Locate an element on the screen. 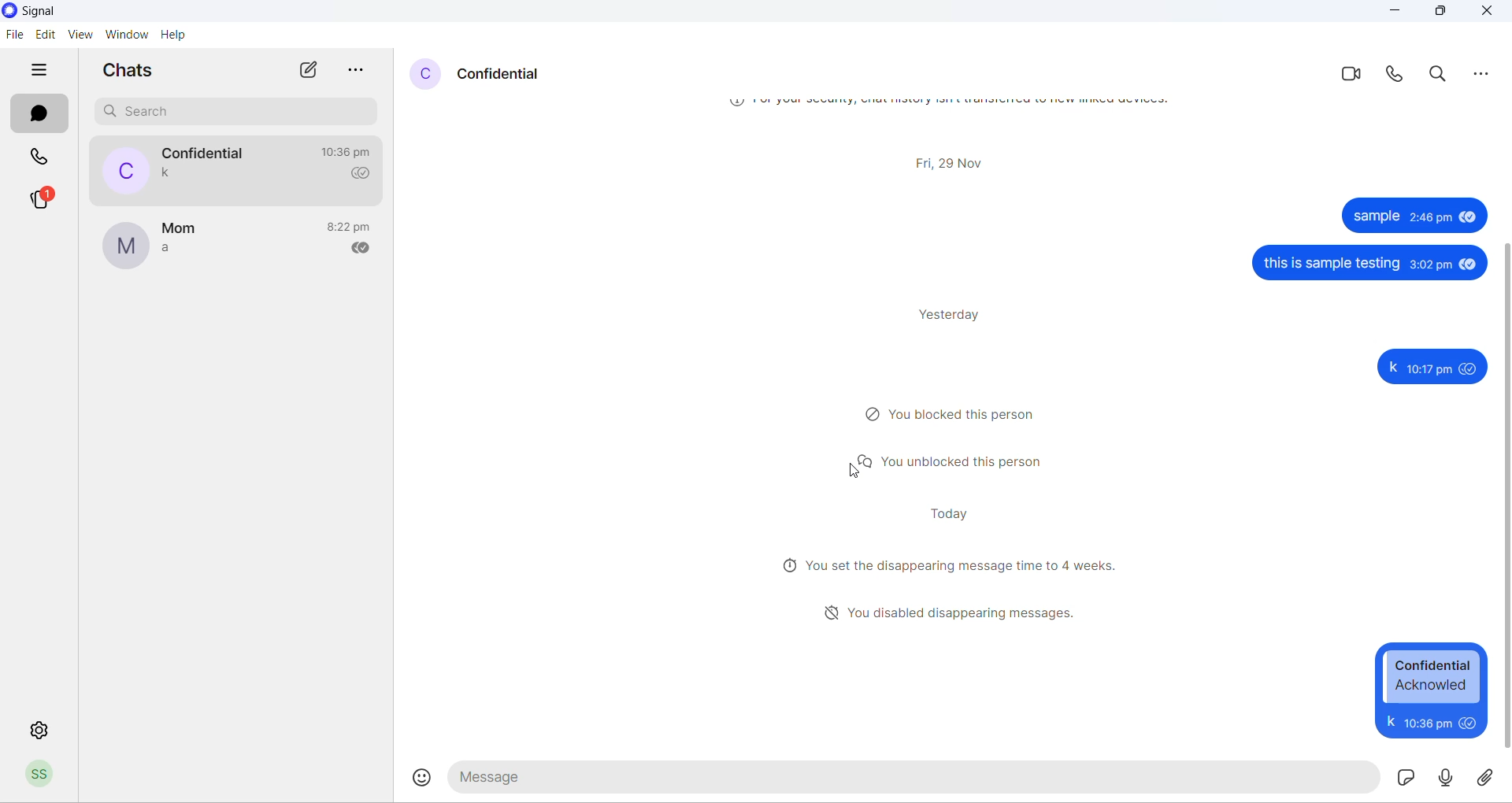  unblock notification is located at coordinates (953, 464).